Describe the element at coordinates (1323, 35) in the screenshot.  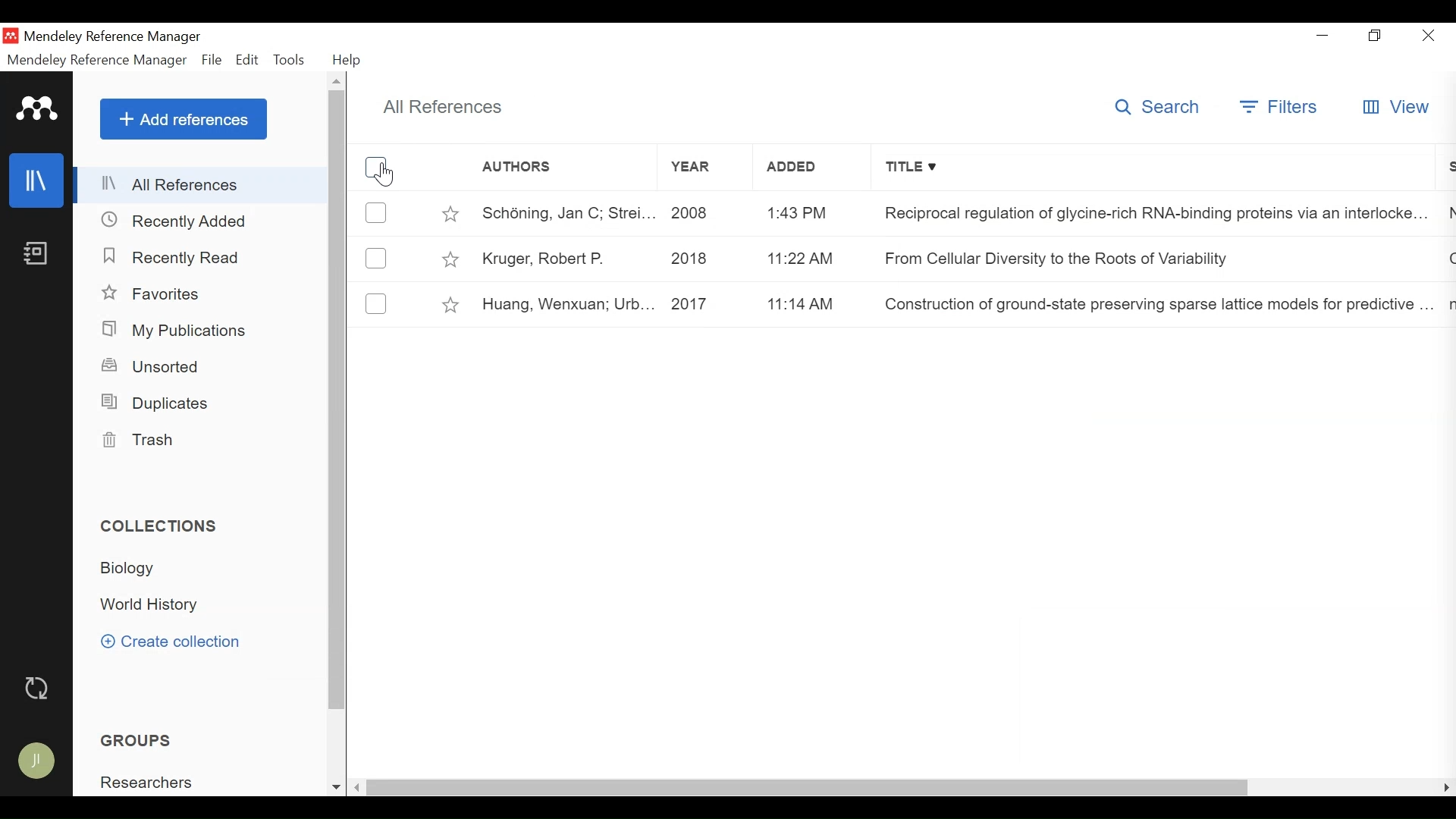
I see `minimize` at that location.